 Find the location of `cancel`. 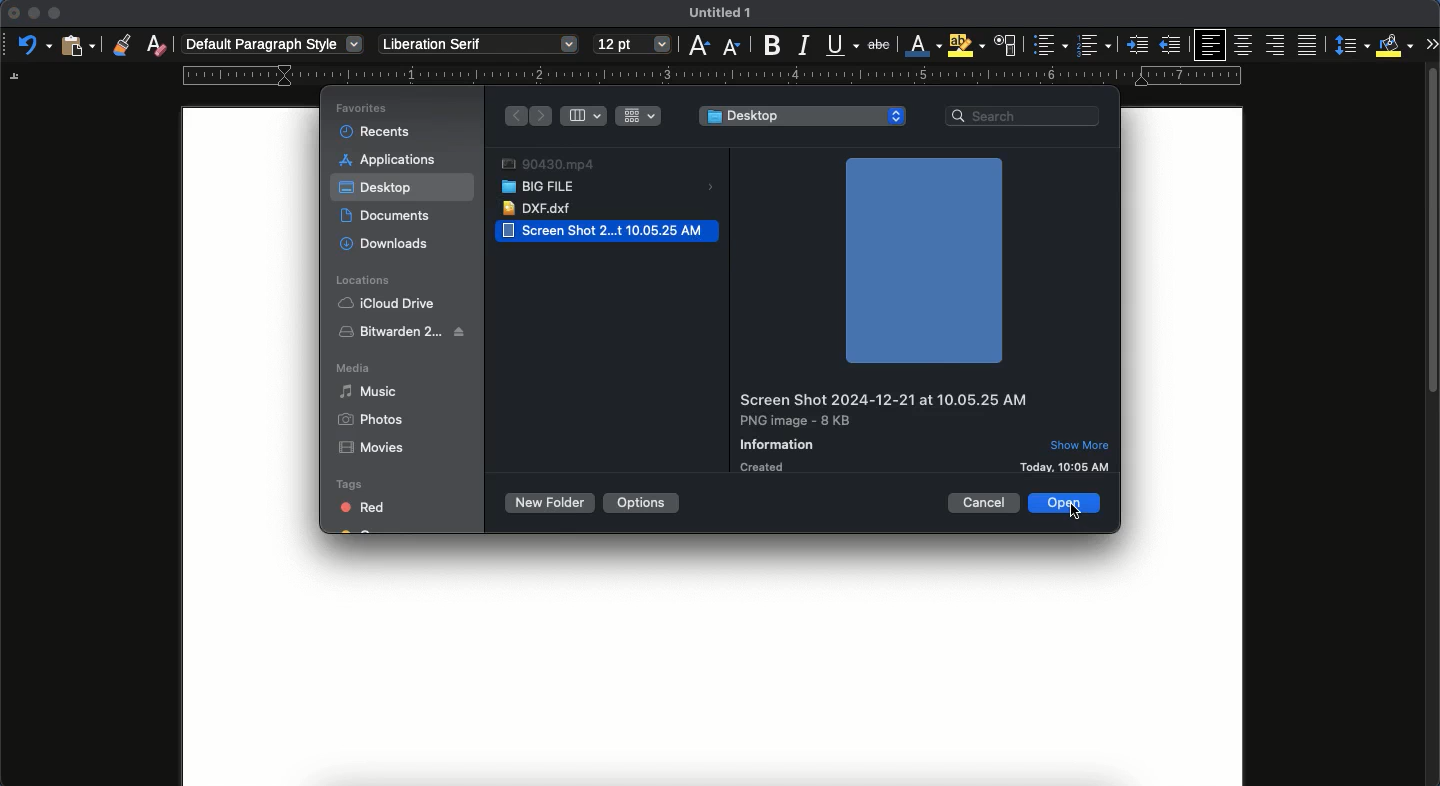

cancel is located at coordinates (985, 501).